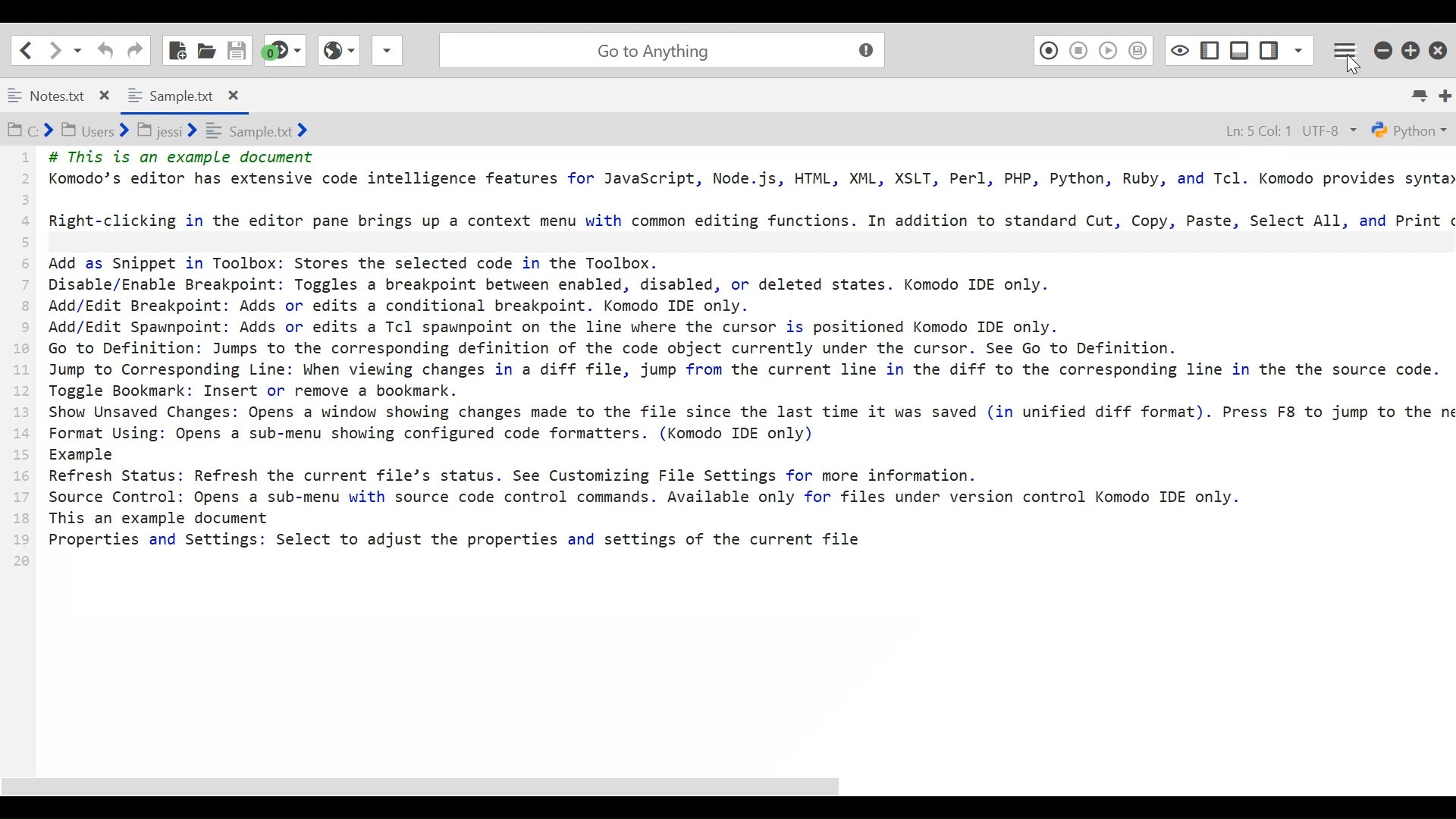 Image resolution: width=1456 pixels, height=819 pixels. What do you see at coordinates (1241, 49) in the screenshot?
I see `Show/Hide Bottom Pane` at bounding box center [1241, 49].